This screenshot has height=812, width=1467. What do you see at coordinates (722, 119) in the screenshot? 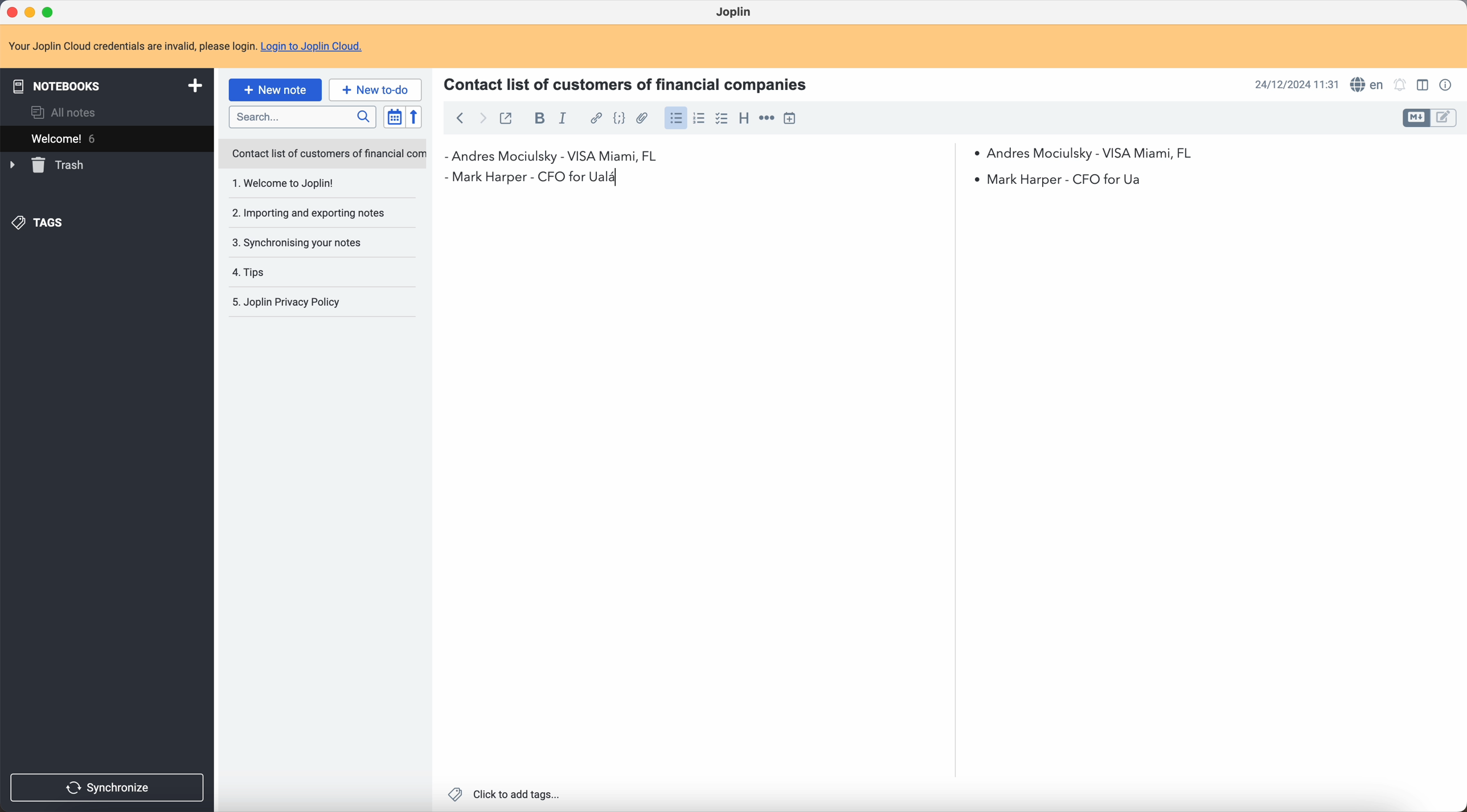
I see `check list` at bounding box center [722, 119].